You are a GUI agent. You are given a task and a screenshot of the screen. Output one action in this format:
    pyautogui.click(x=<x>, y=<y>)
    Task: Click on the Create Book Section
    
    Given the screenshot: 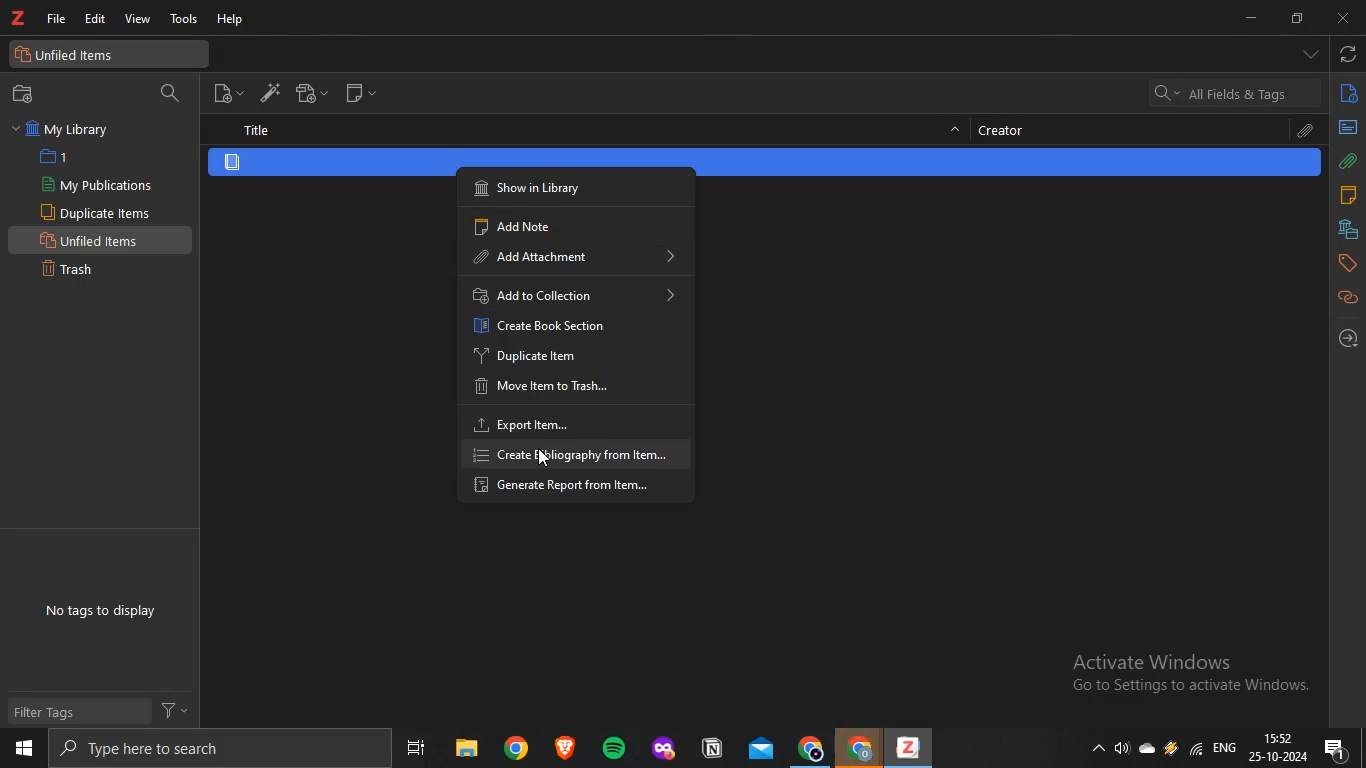 What is the action you would take?
    pyautogui.click(x=542, y=326)
    